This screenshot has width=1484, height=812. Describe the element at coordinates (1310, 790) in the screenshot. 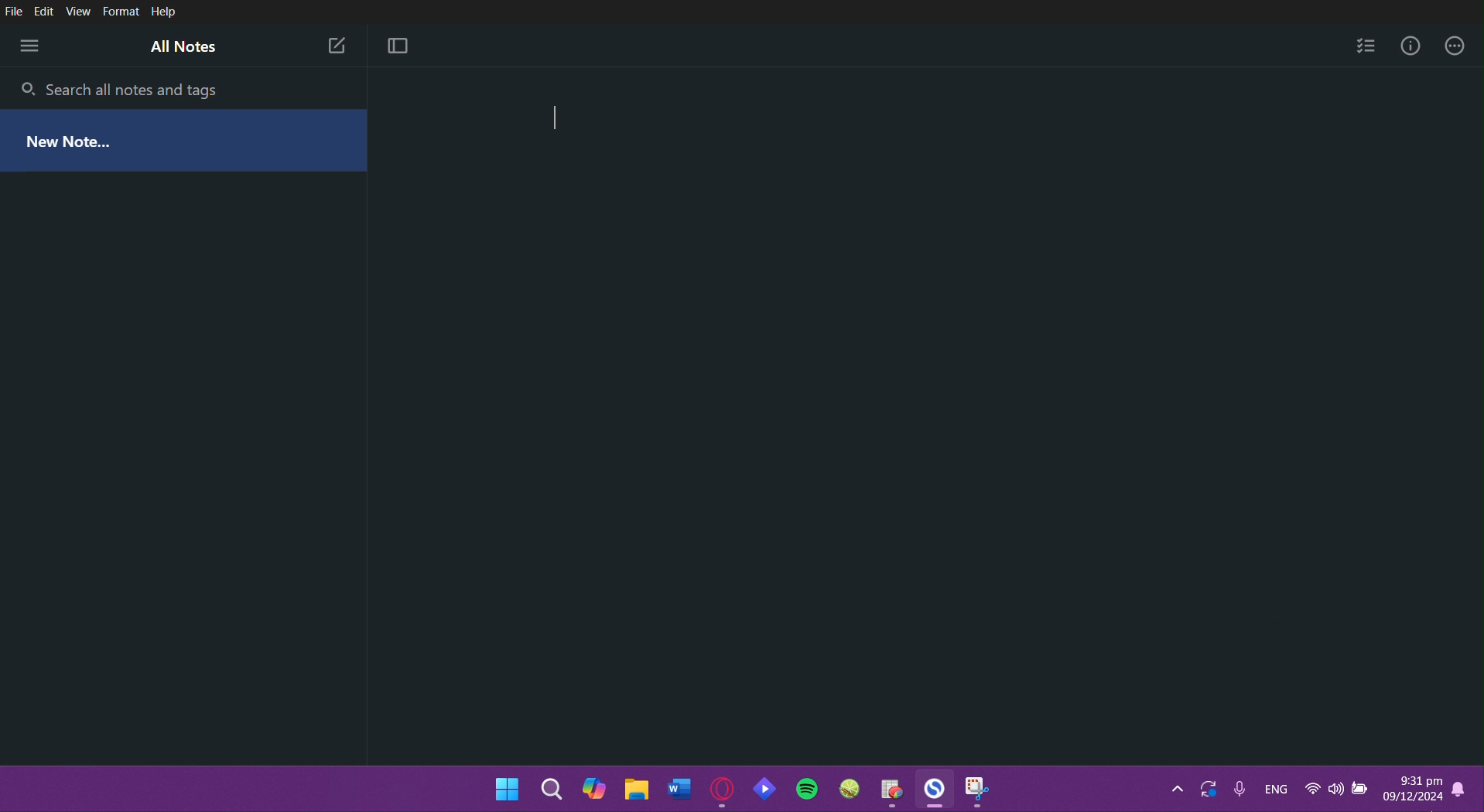

I see `wifi` at that location.